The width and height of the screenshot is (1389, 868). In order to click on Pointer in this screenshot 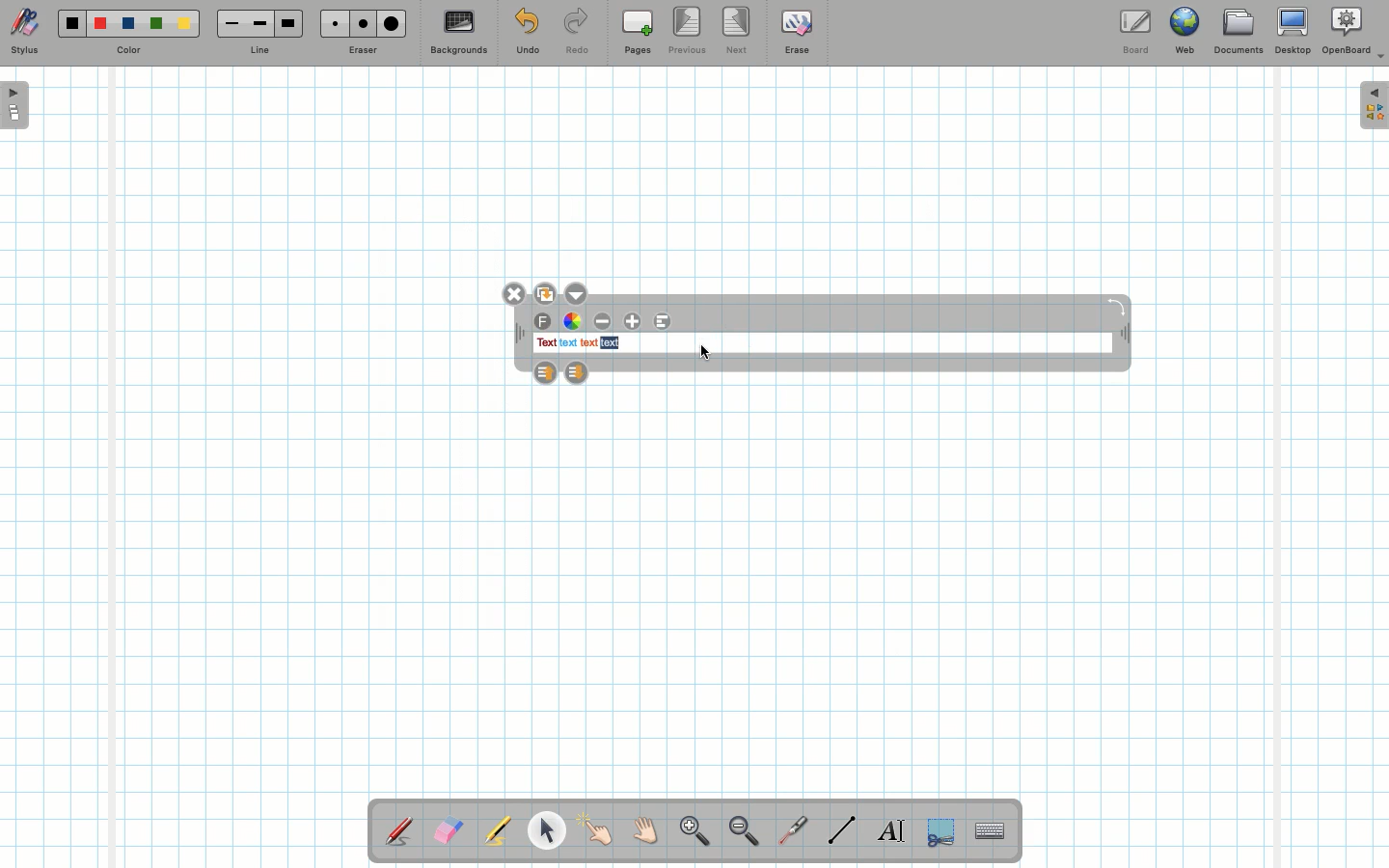, I will do `click(546, 830)`.